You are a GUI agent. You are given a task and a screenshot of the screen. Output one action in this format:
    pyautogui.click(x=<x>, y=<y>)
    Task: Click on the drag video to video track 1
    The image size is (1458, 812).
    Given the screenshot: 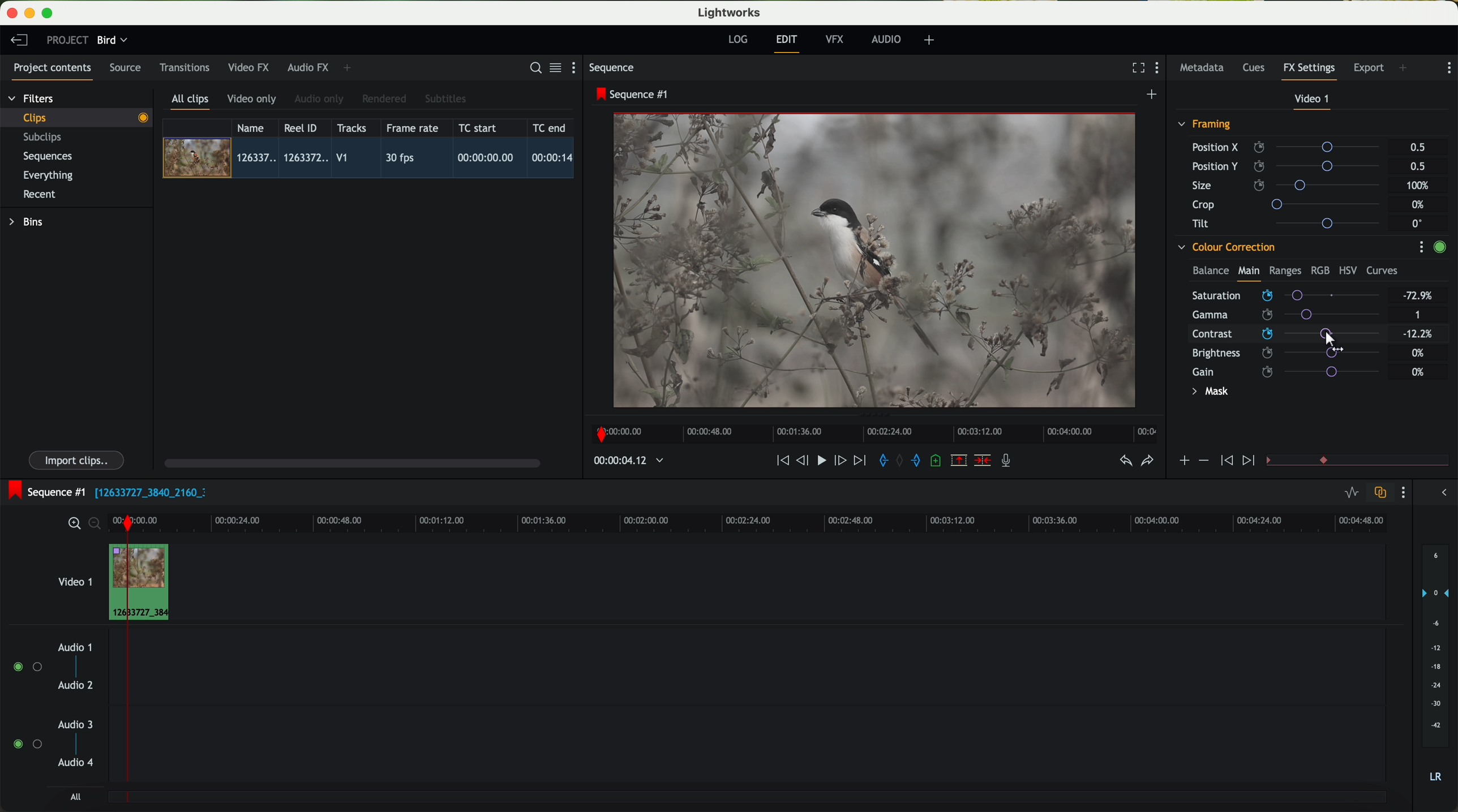 What is the action you would take?
    pyautogui.click(x=144, y=583)
    